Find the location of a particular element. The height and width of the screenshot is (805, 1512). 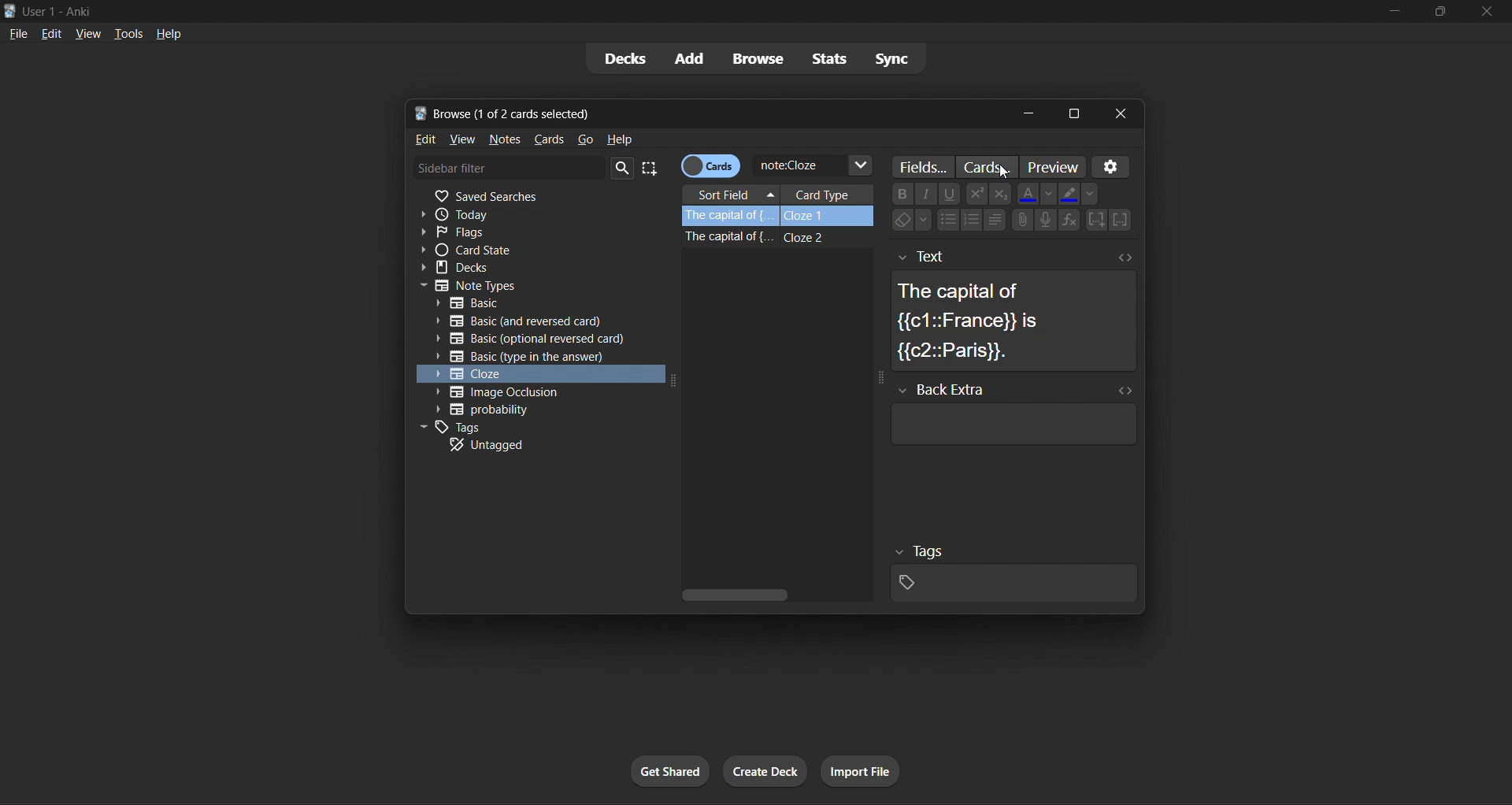

sidebar filter is located at coordinates (509, 167).